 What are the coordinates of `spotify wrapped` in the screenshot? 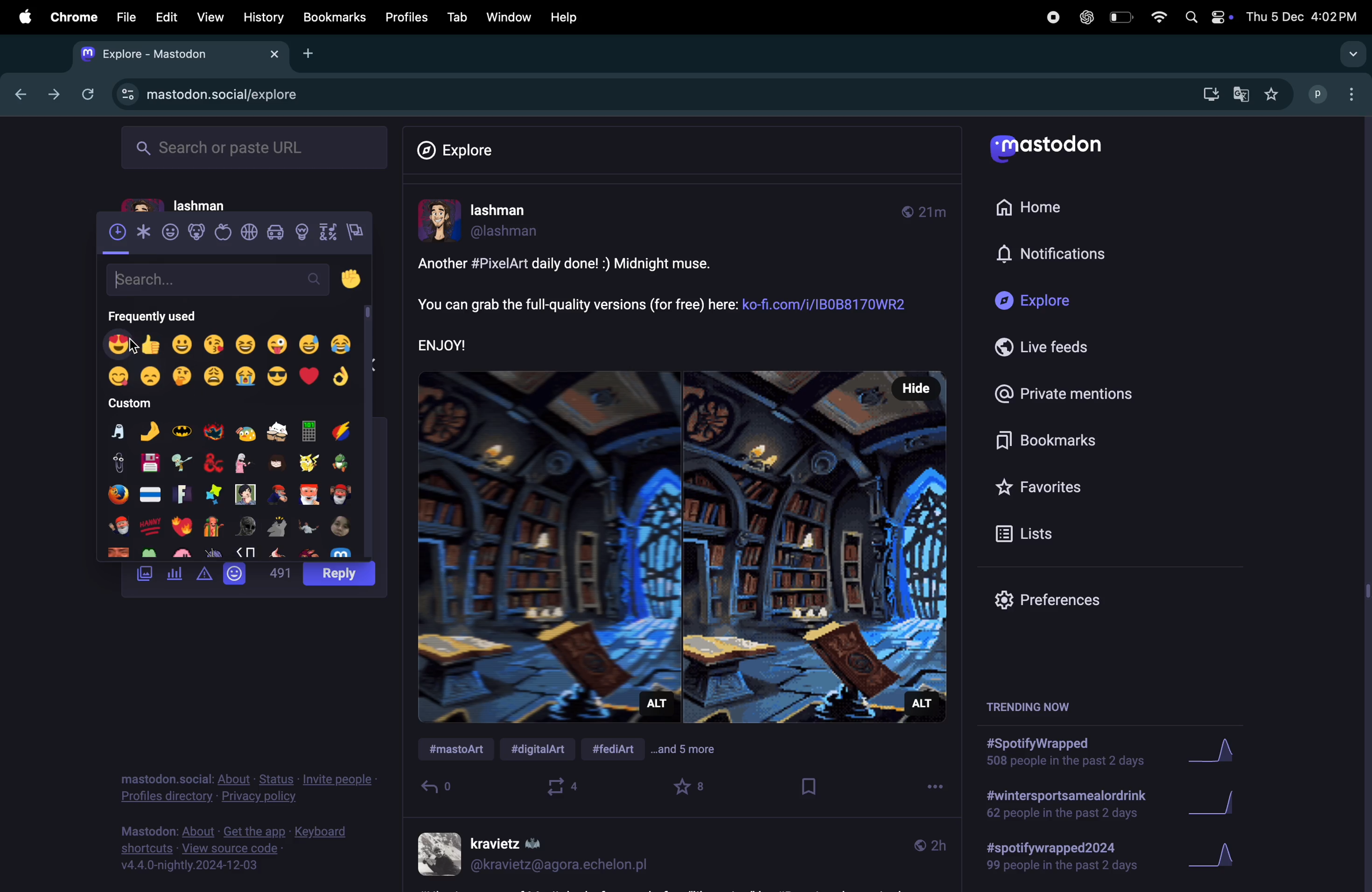 It's located at (1064, 755).